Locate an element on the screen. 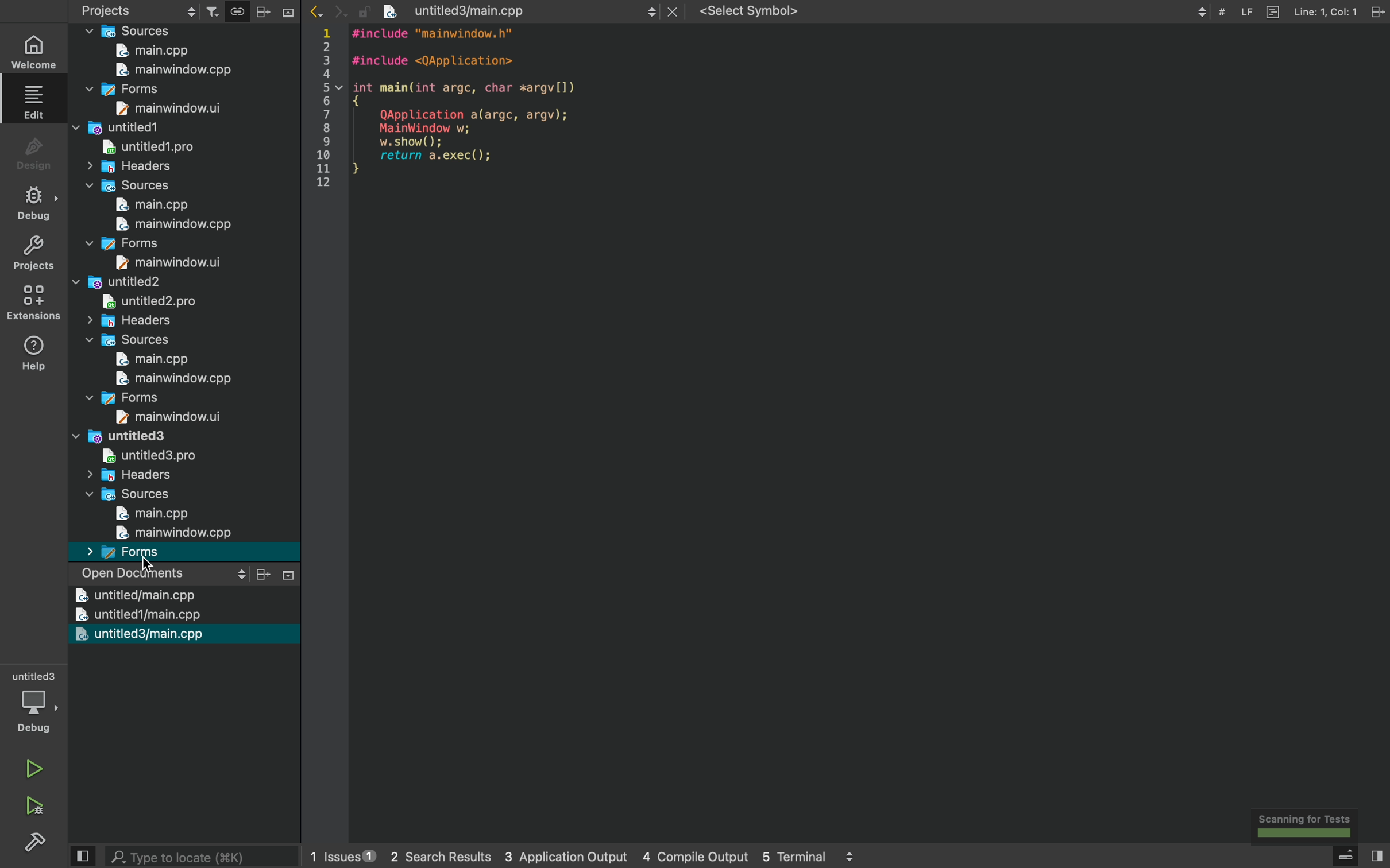 The height and width of the screenshot is (868, 1390). untitled is located at coordinates (145, 148).